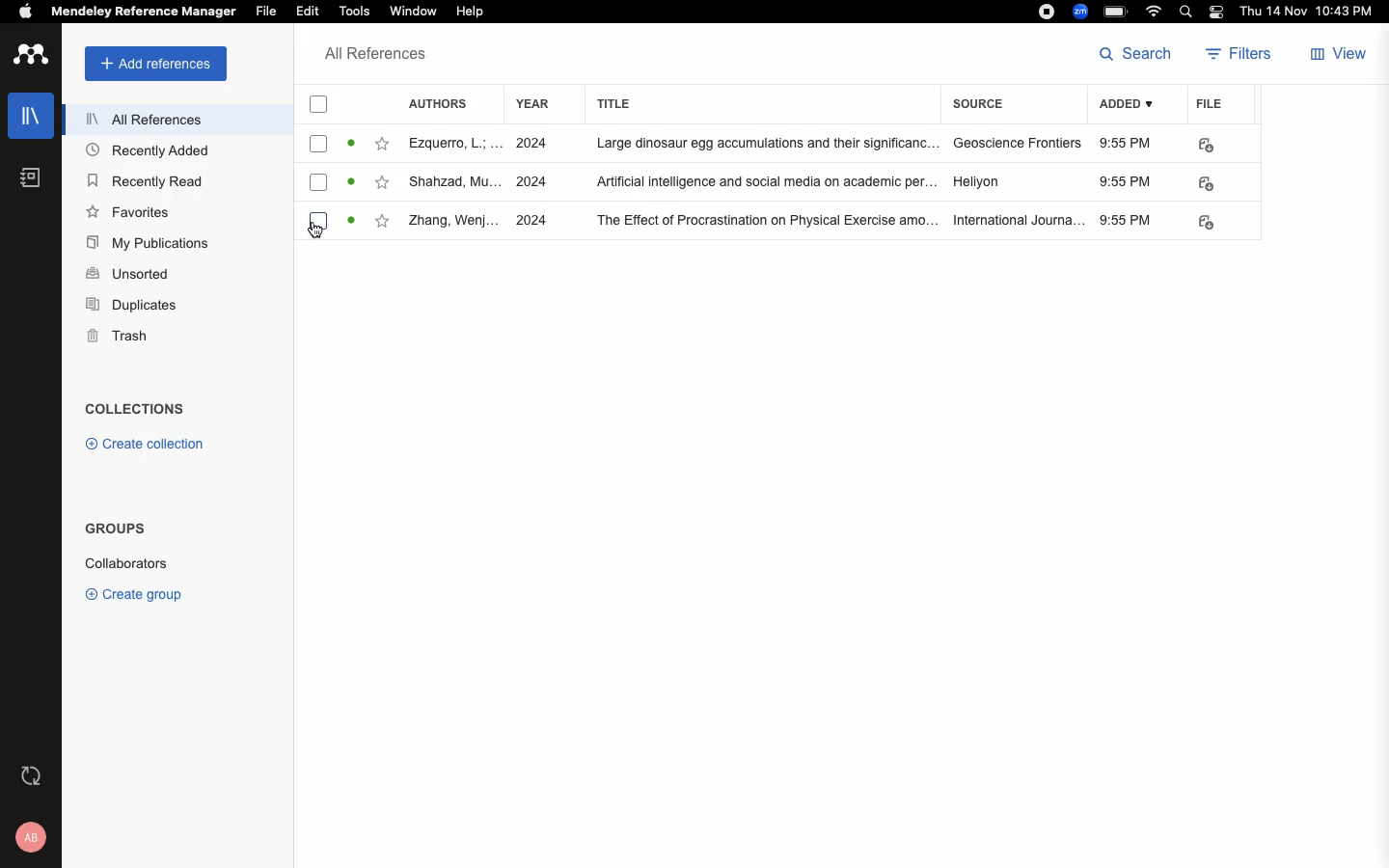  I want to click on favourite, so click(382, 222).